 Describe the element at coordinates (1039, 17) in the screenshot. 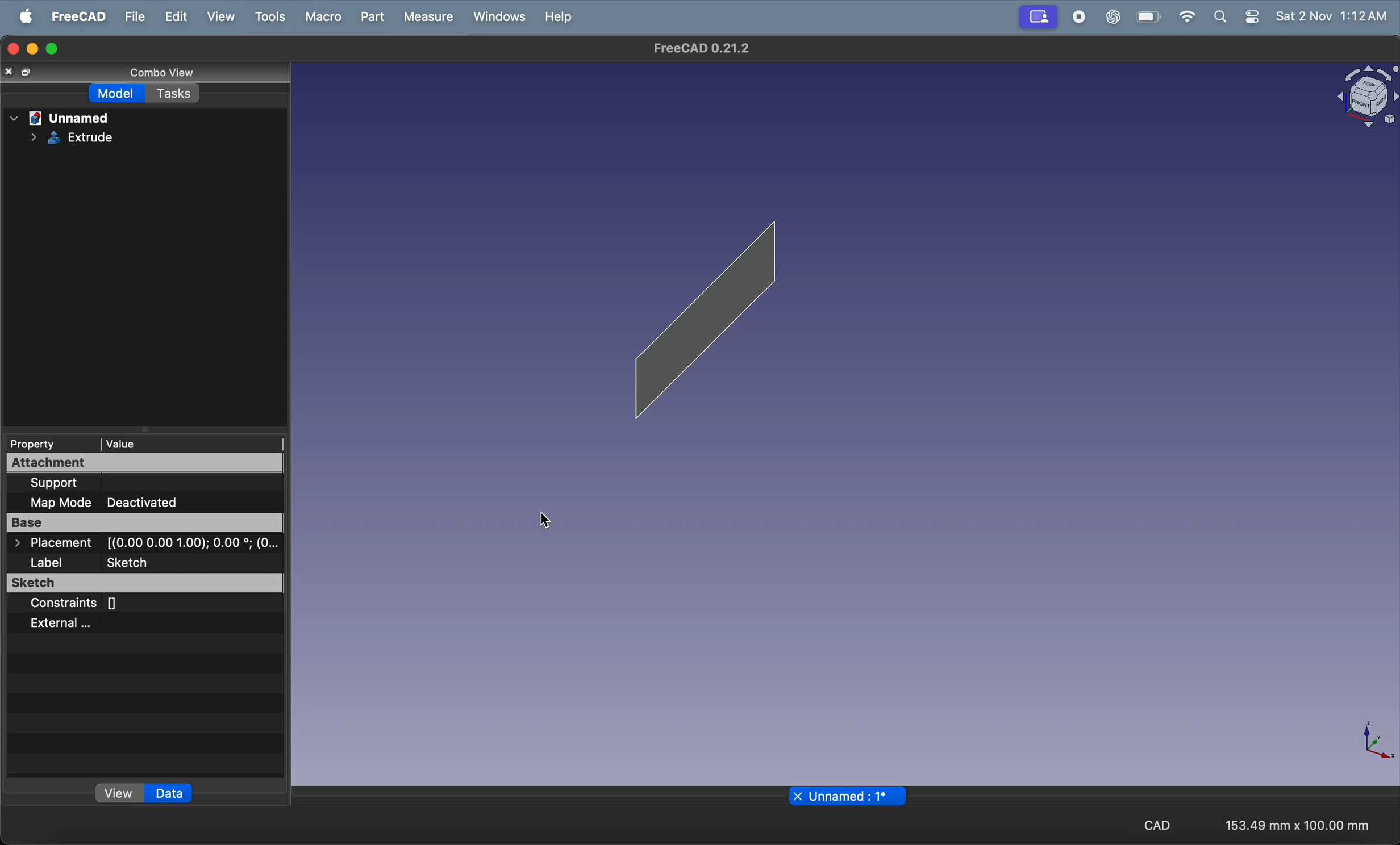

I see `Profile` at that location.